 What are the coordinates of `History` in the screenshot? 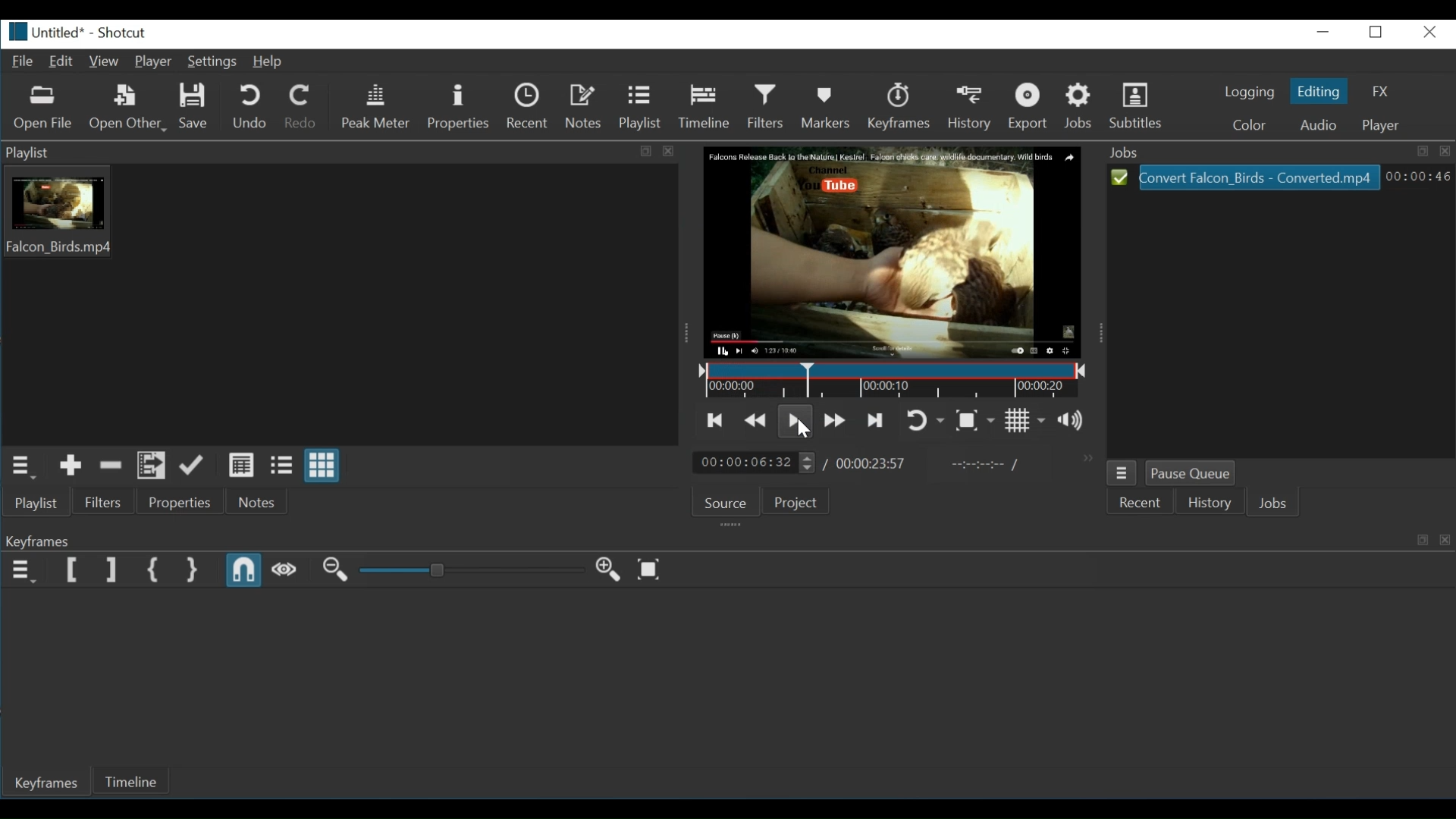 It's located at (1210, 504).